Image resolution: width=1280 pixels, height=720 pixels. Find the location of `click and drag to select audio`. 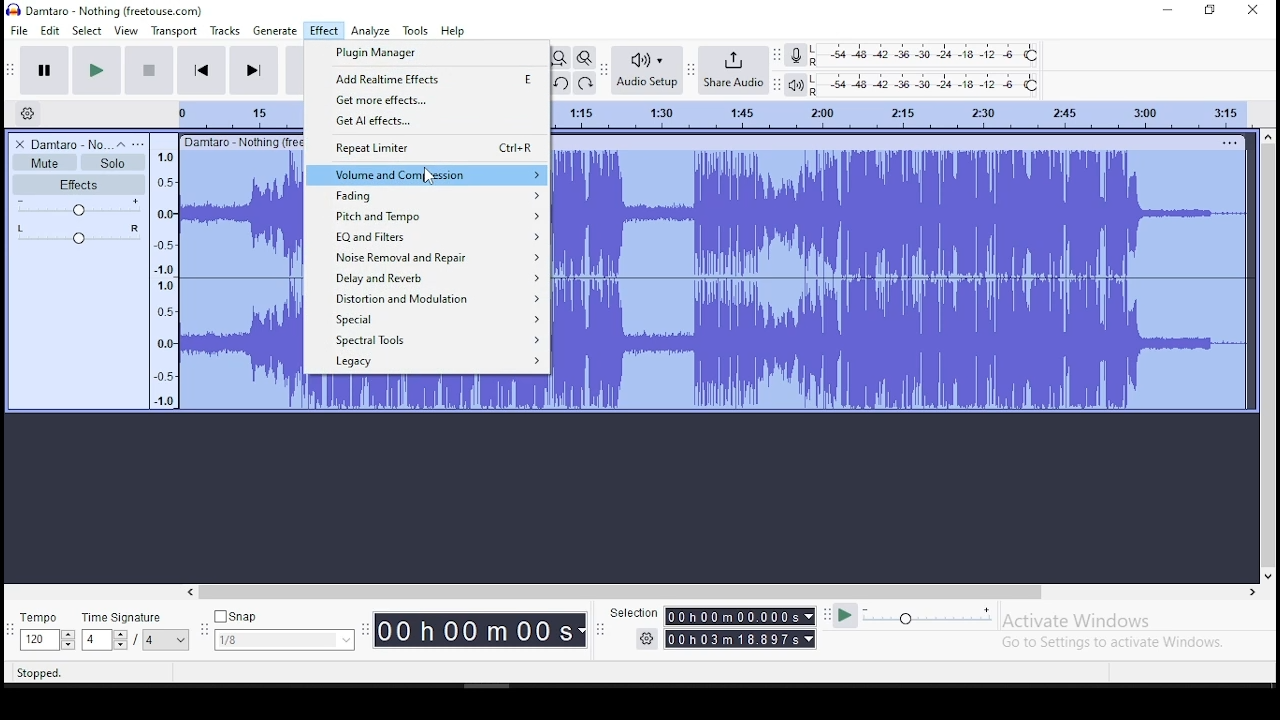

click and drag to select audio is located at coordinates (255, 674).